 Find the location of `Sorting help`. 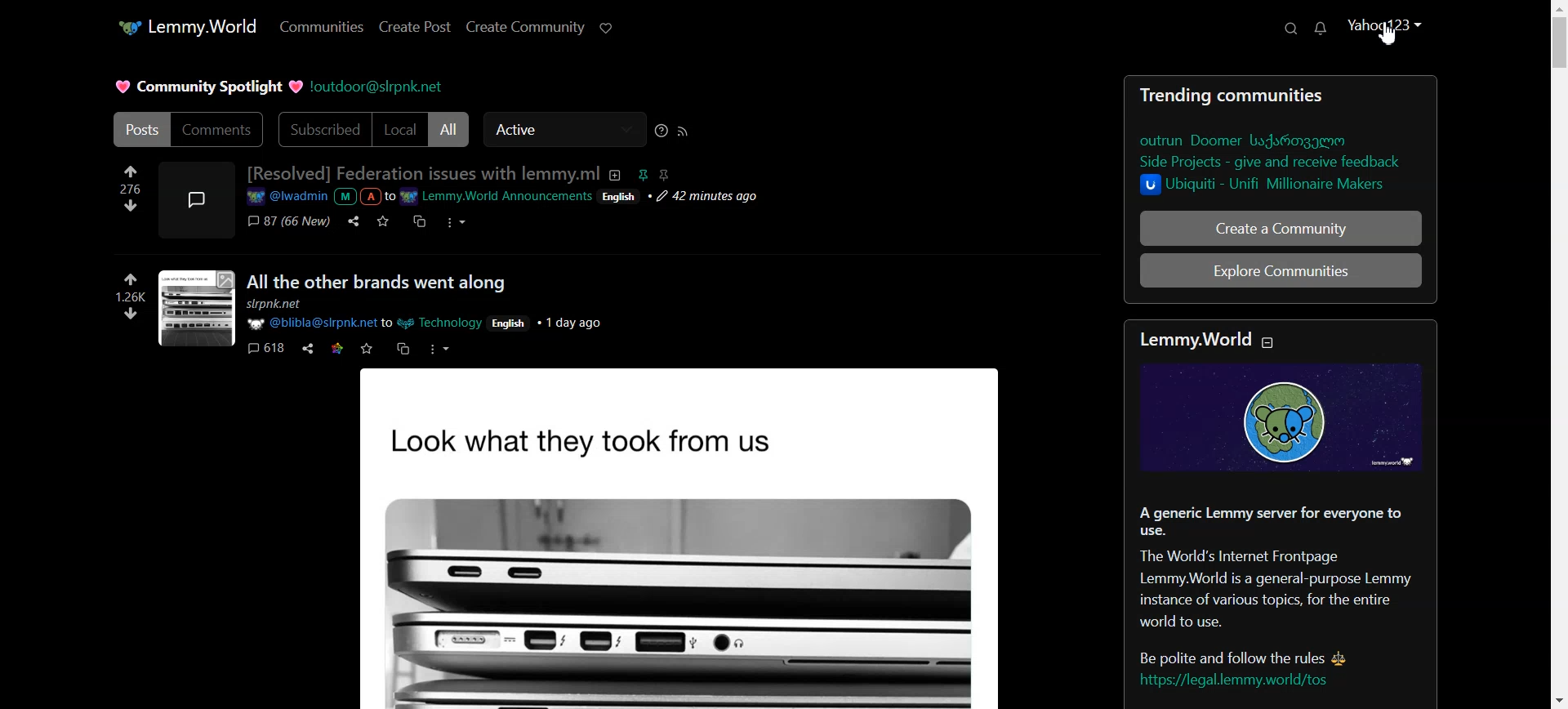

Sorting help is located at coordinates (661, 131).